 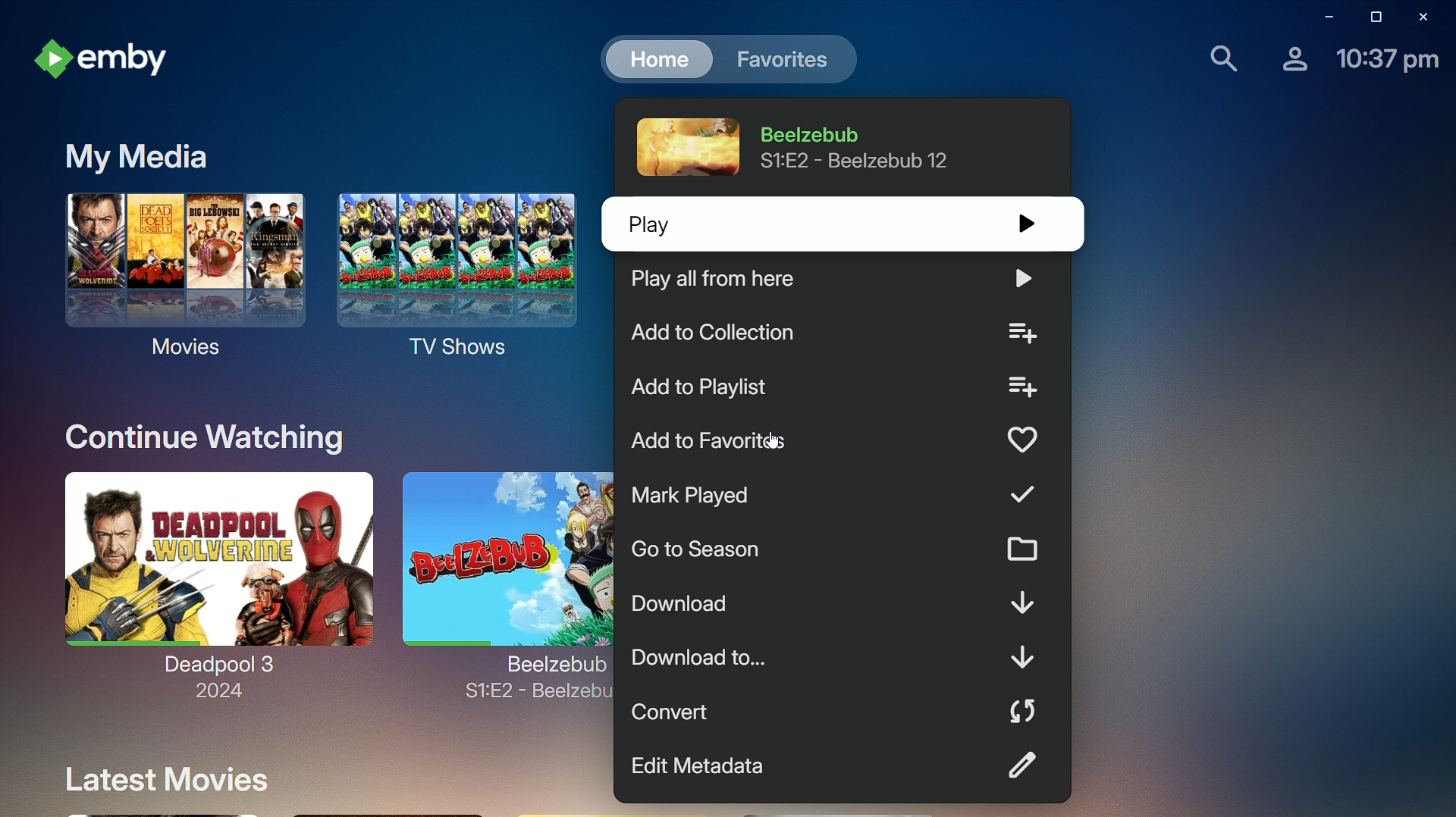 What do you see at coordinates (838, 764) in the screenshot?
I see `Edit Metadata` at bounding box center [838, 764].